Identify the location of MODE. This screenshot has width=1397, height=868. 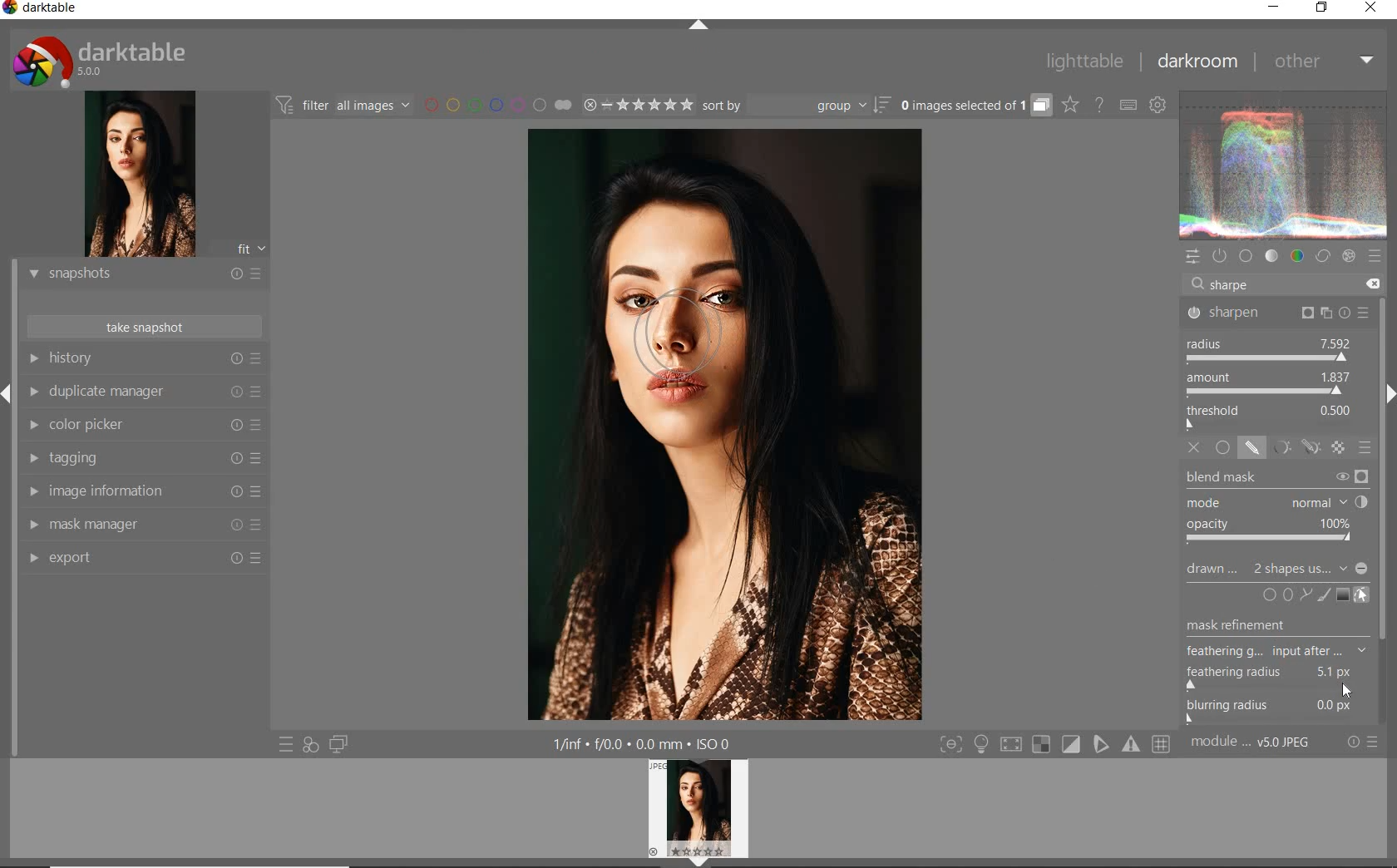
(1279, 501).